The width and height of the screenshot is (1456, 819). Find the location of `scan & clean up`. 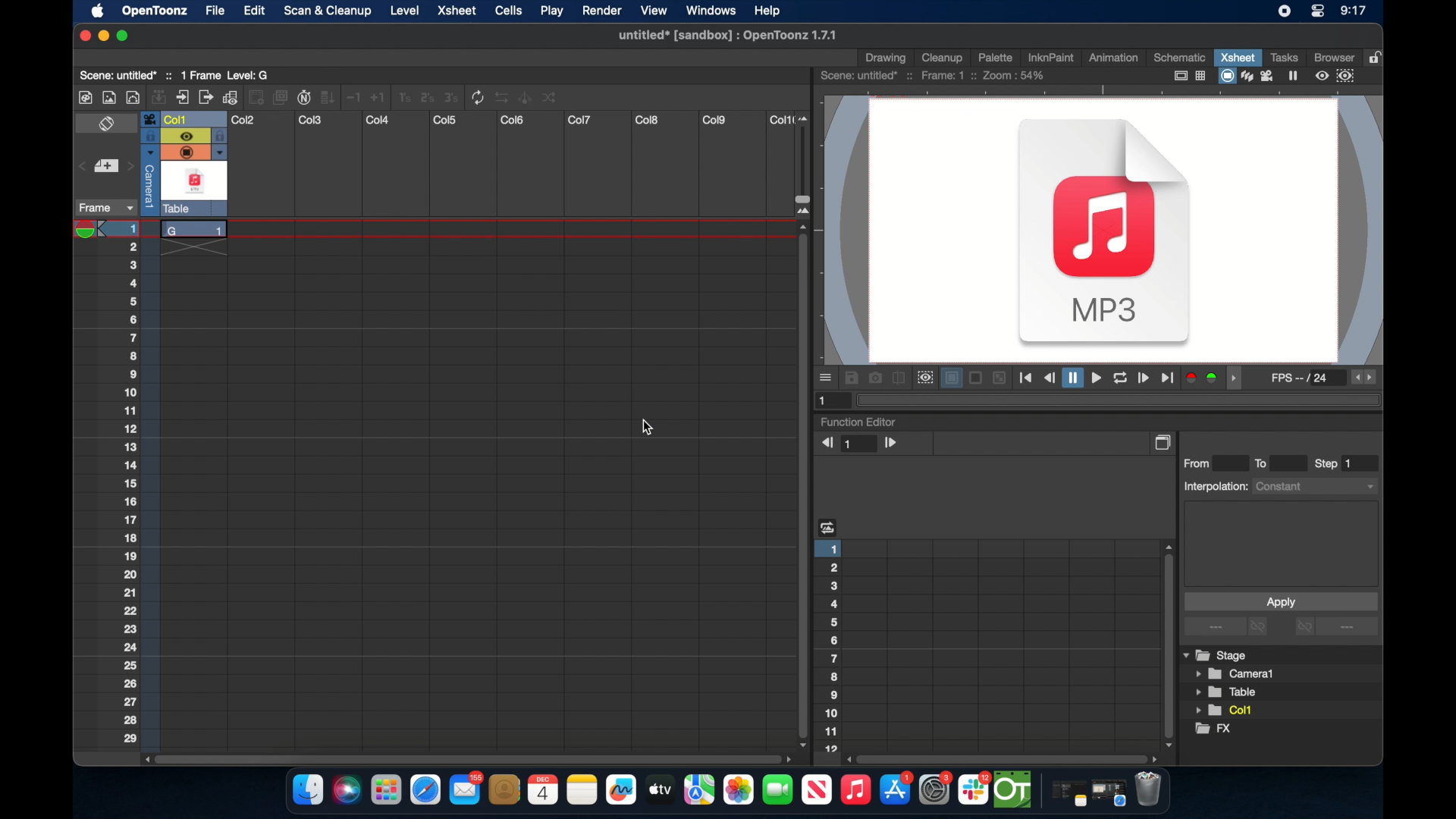

scan & clean up is located at coordinates (327, 12).